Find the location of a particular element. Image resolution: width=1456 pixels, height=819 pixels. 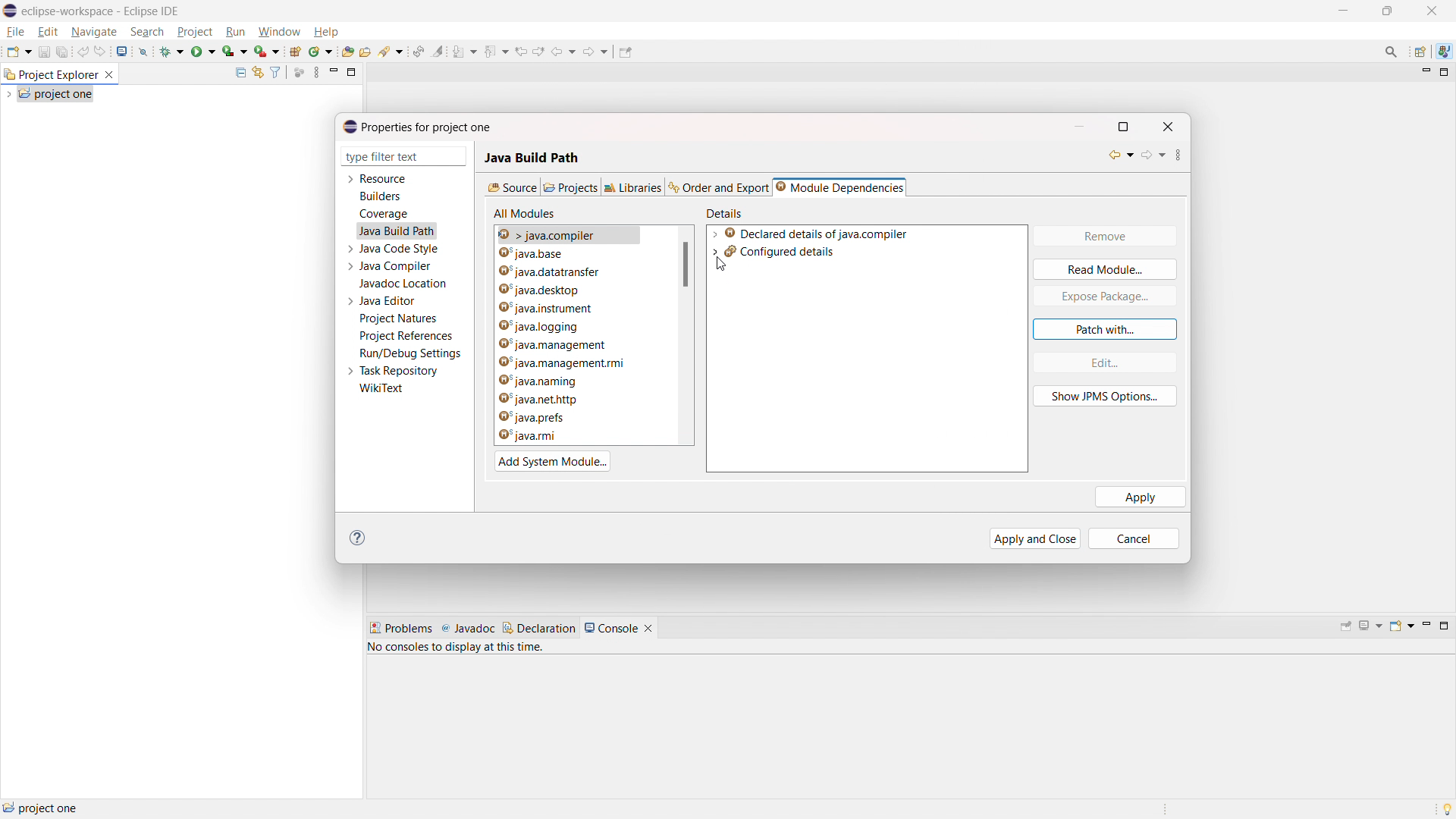

back is located at coordinates (563, 50).